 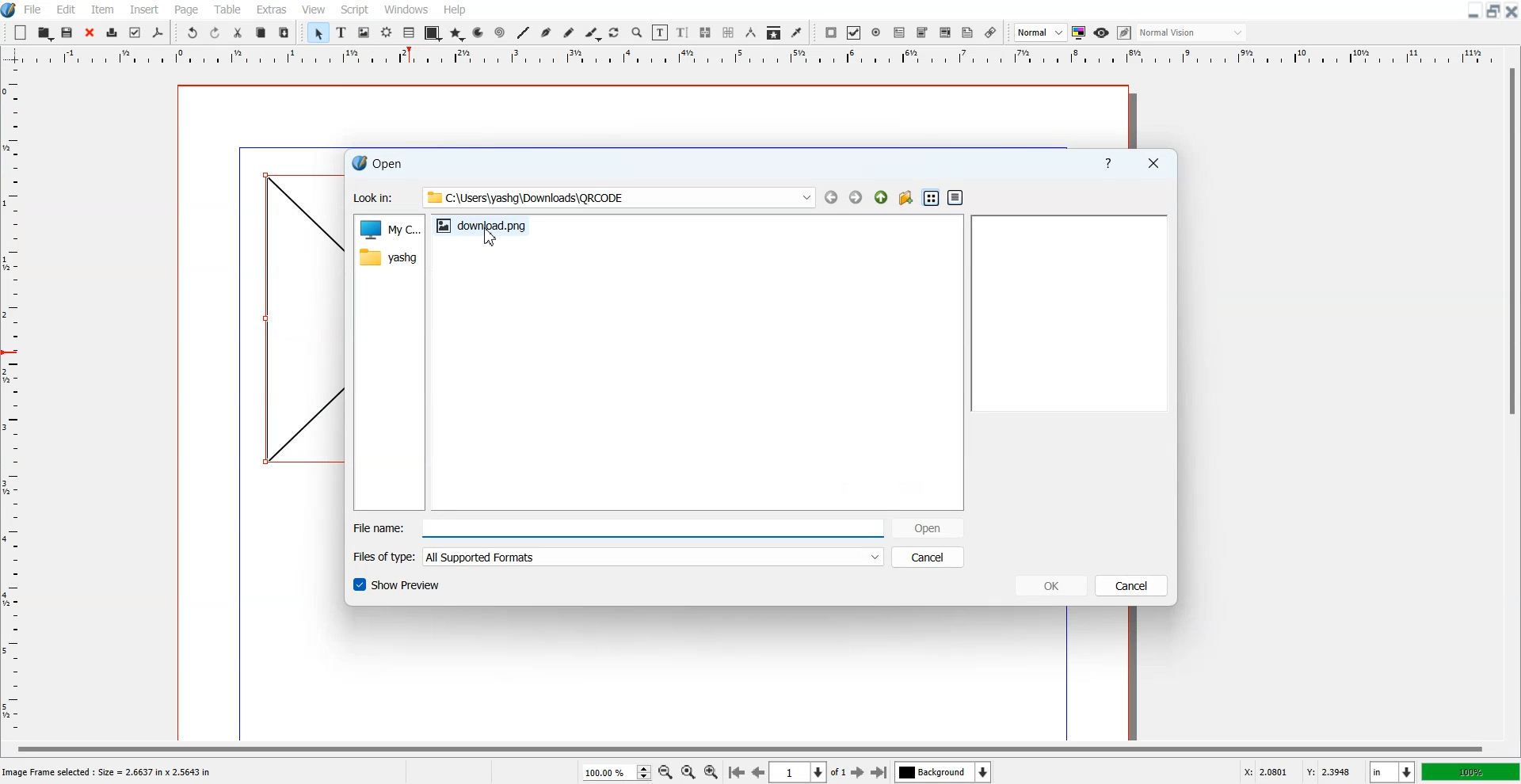 What do you see at coordinates (638, 33) in the screenshot?
I see `Zoom in or Out` at bounding box center [638, 33].